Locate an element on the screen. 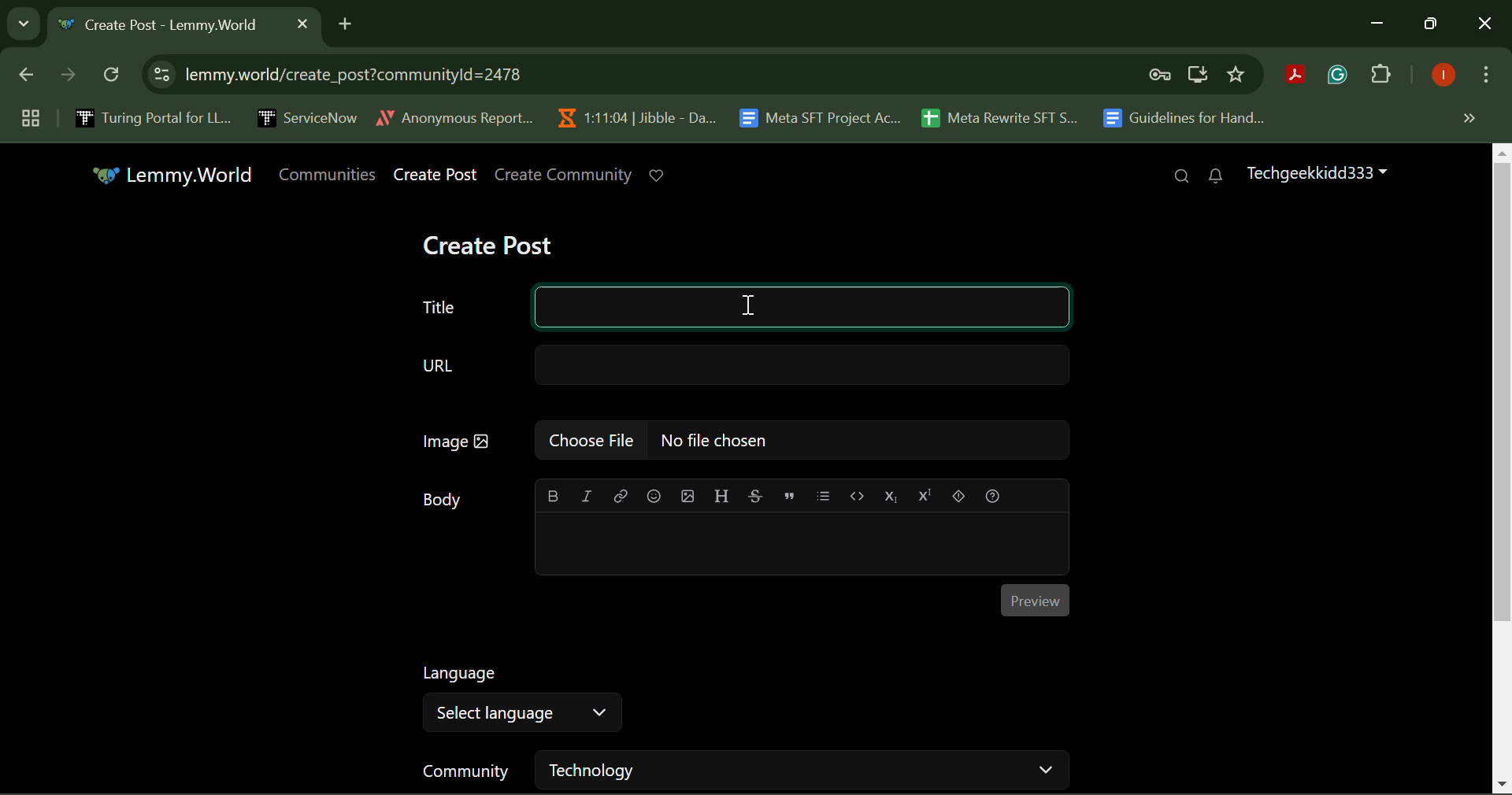  Title Text Box Selected is located at coordinates (736, 304).